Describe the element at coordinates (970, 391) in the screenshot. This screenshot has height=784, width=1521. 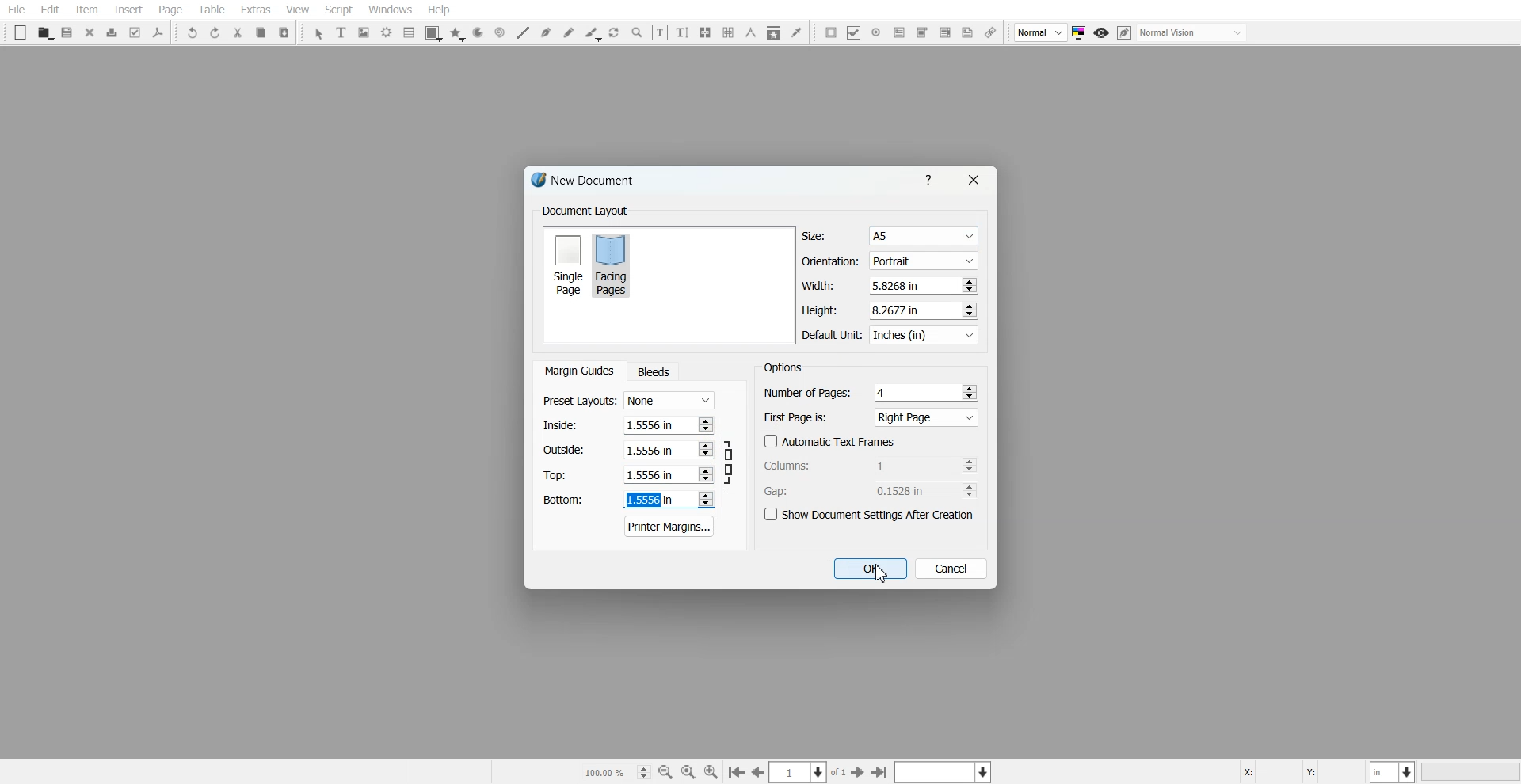
I see `Increase and decrease No. ` at that location.